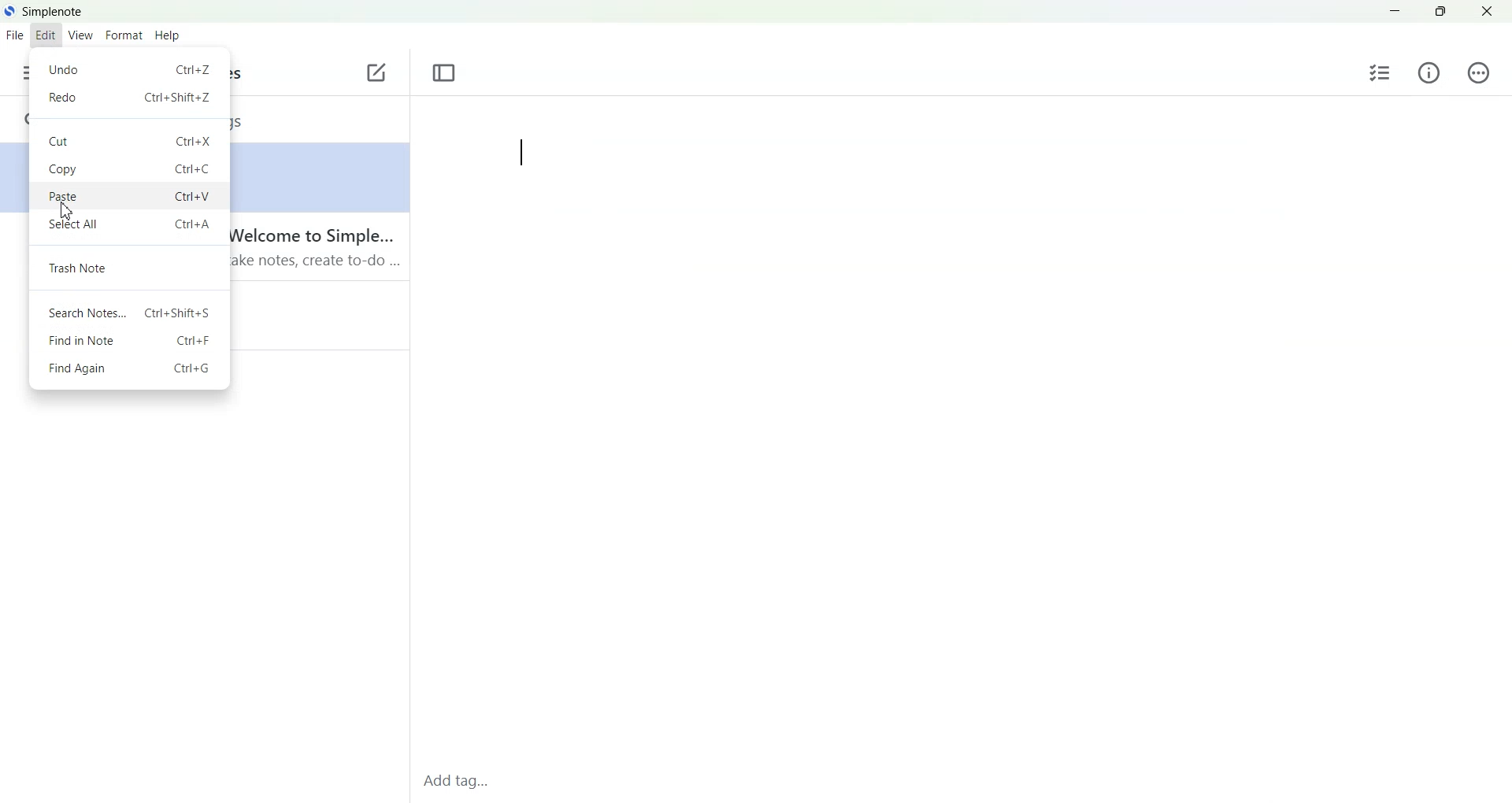 This screenshot has width=1512, height=803. Describe the element at coordinates (130, 225) in the screenshot. I see `Select all Ctrl + Select A` at that location.